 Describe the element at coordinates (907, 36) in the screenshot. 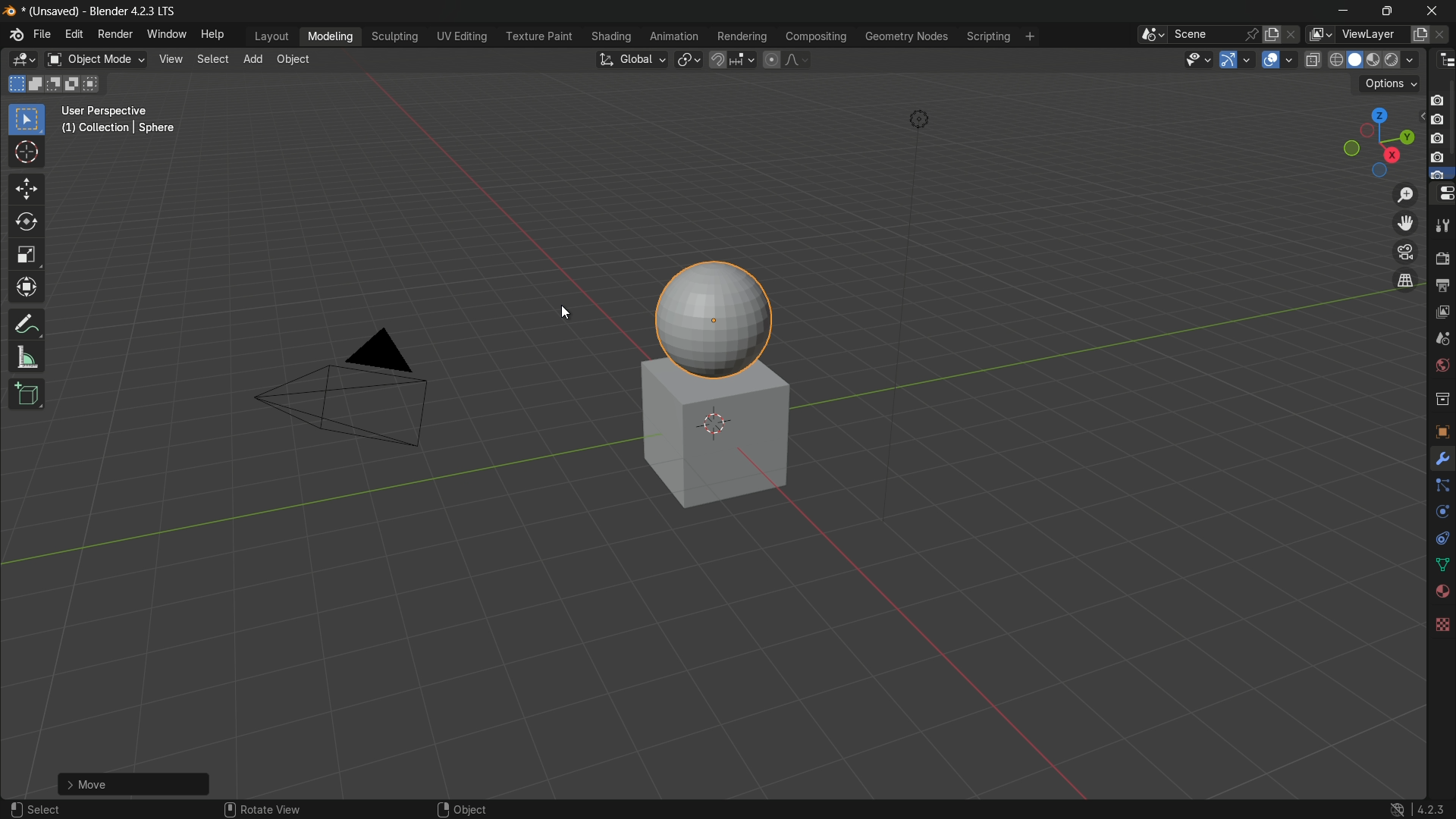

I see `geometry nodes menu` at that location.